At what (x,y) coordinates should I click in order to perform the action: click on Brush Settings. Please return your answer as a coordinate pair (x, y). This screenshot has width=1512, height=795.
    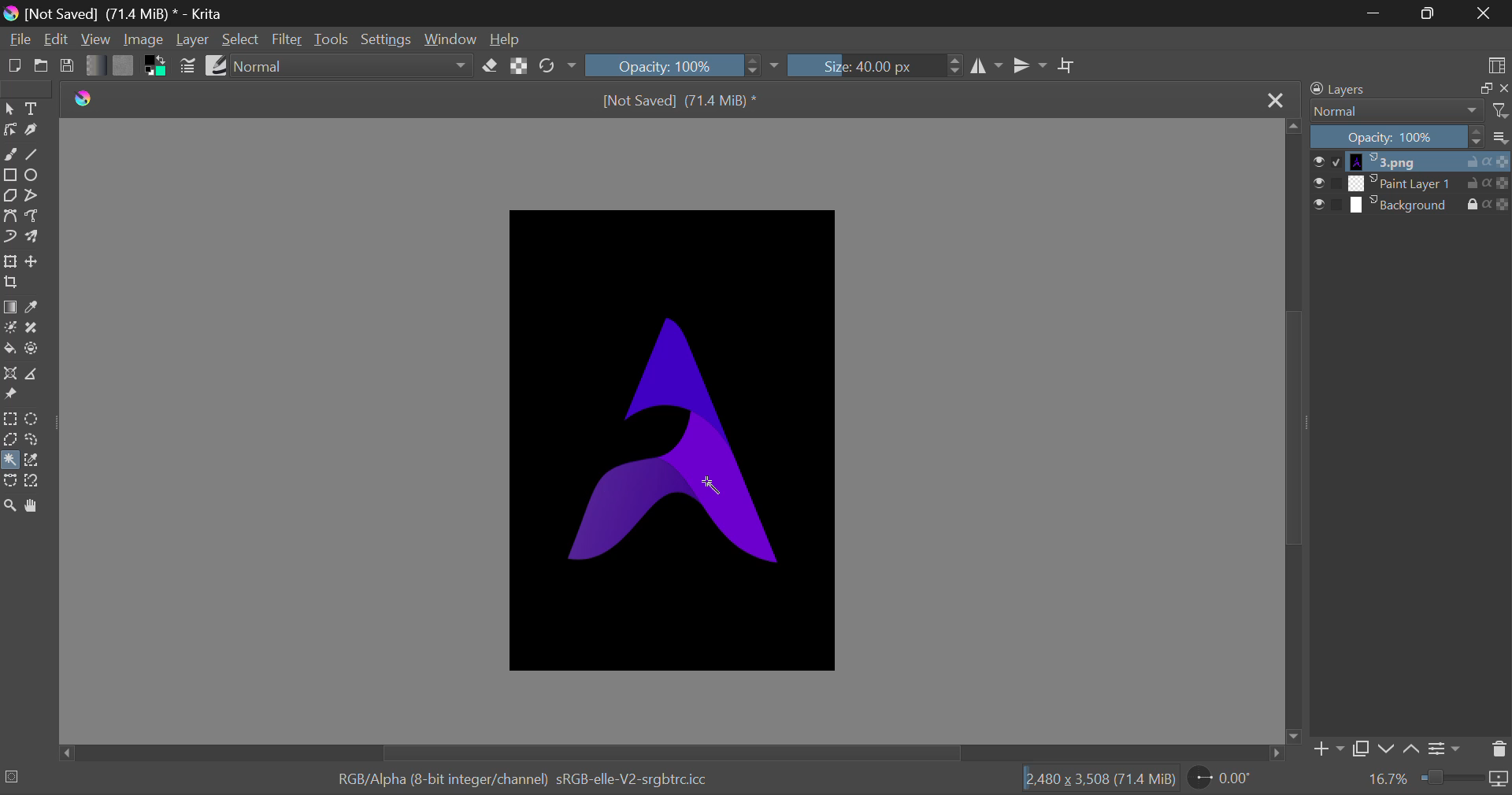
    Looking at the image, I should click on (189, 68).